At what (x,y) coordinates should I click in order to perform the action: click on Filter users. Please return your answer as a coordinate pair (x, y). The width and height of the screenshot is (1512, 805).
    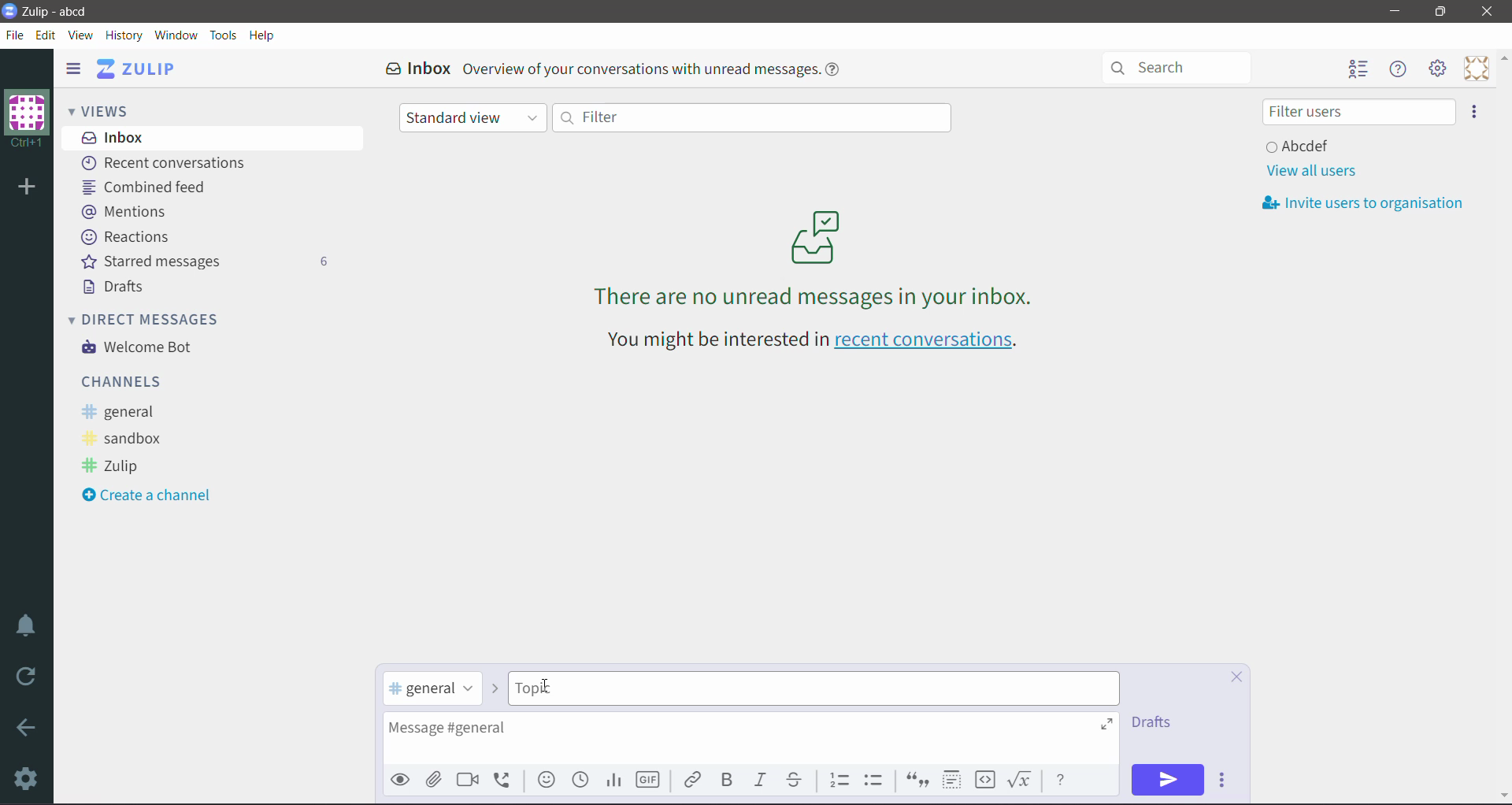
    Looking at the image, I should click on (1358, 112).